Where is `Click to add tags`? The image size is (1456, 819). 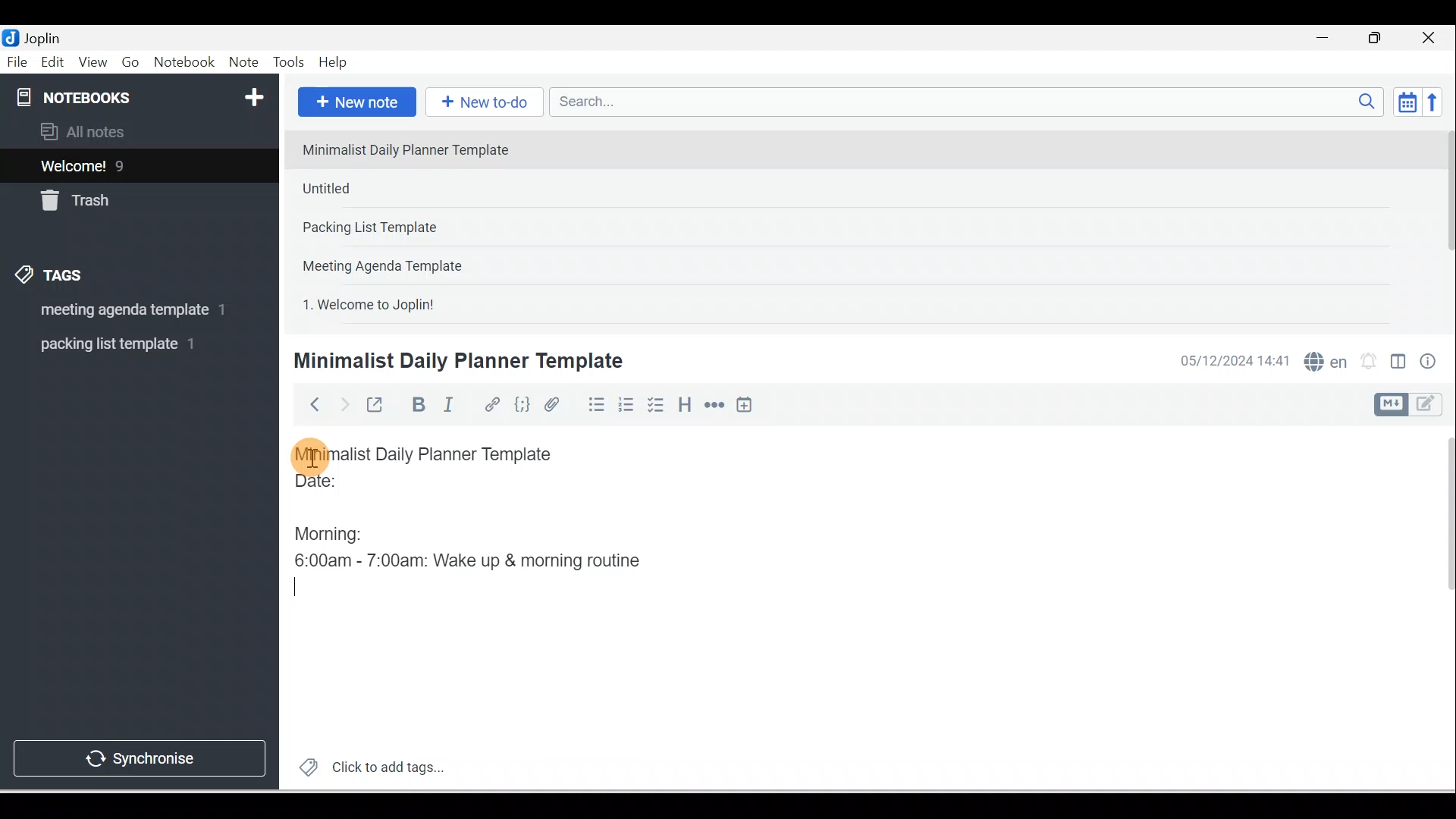
Click to add tags is located at coordinates (366, 765).